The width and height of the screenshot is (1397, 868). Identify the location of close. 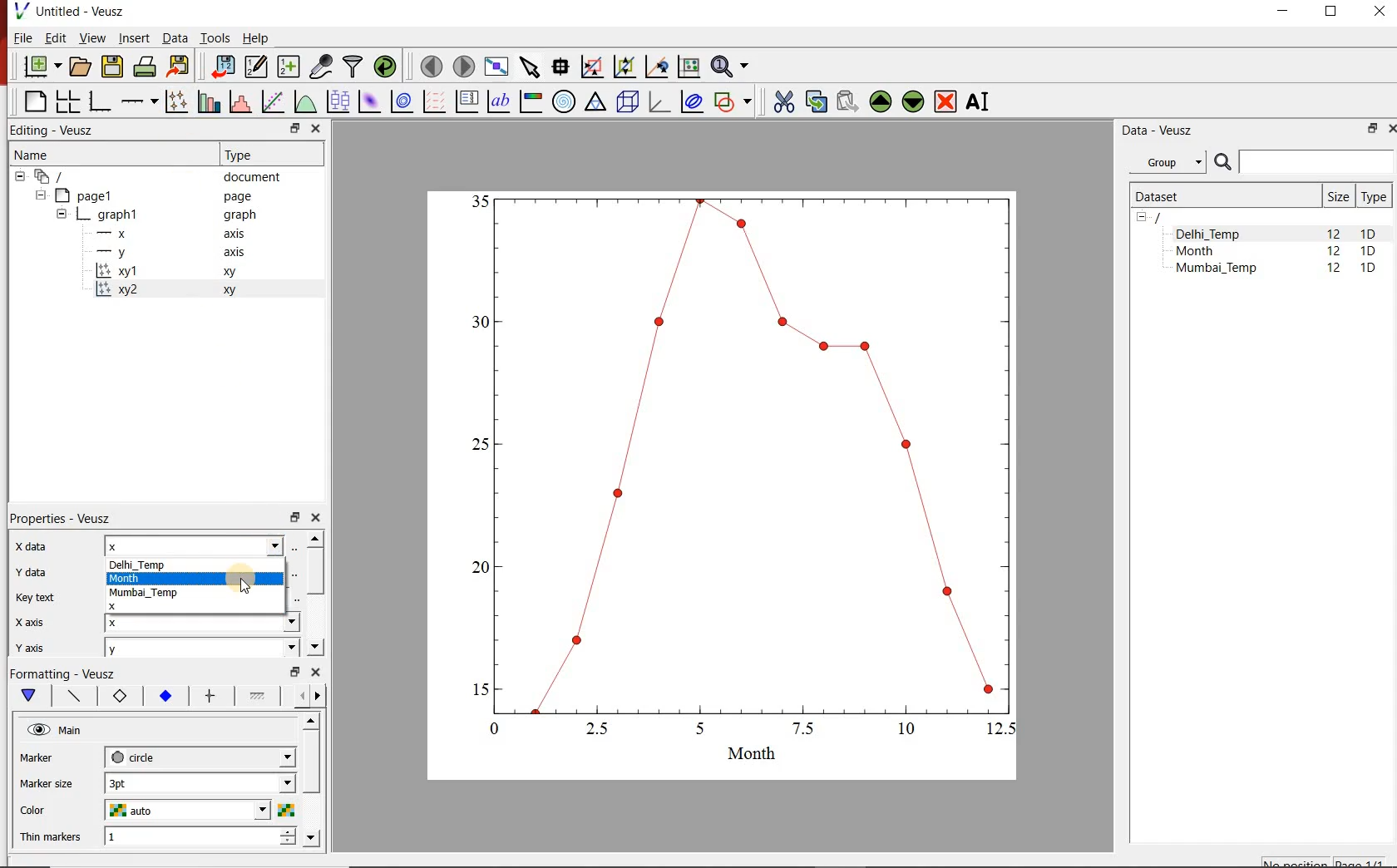
(314, 130).